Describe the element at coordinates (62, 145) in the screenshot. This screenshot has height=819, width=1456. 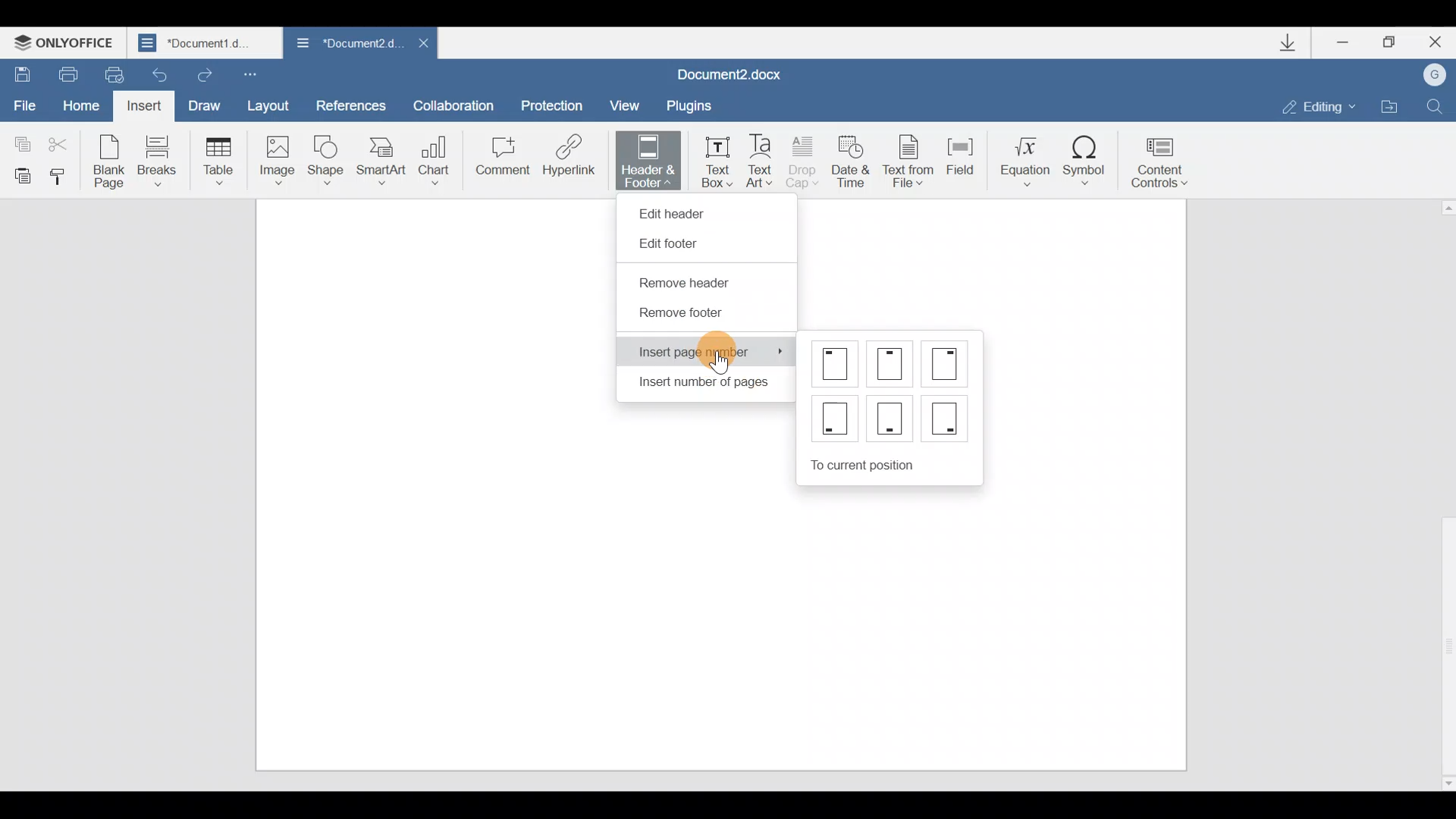
I see `Cut` at that location.